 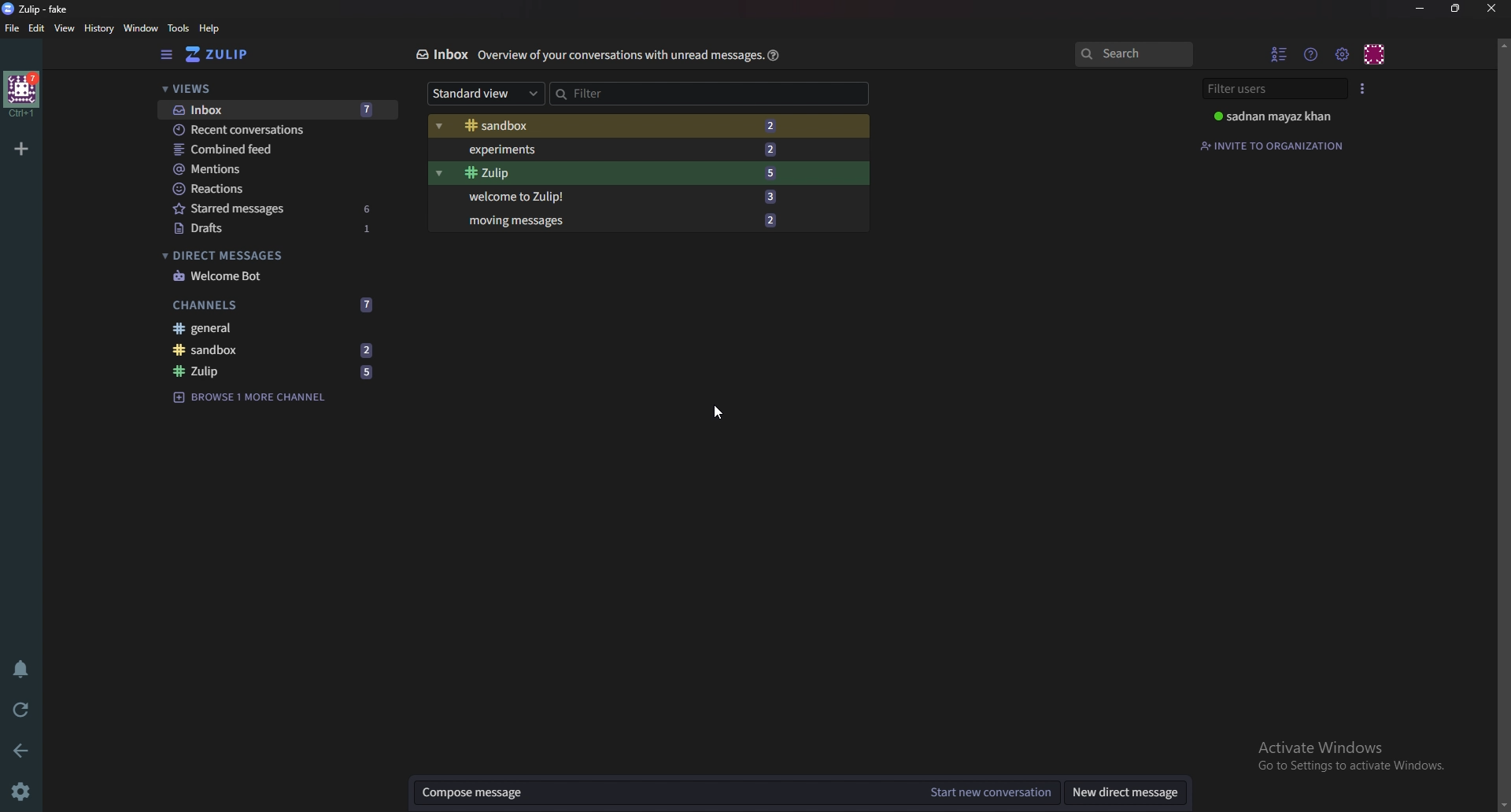 I want to click on home, so click(x=23, y=95).